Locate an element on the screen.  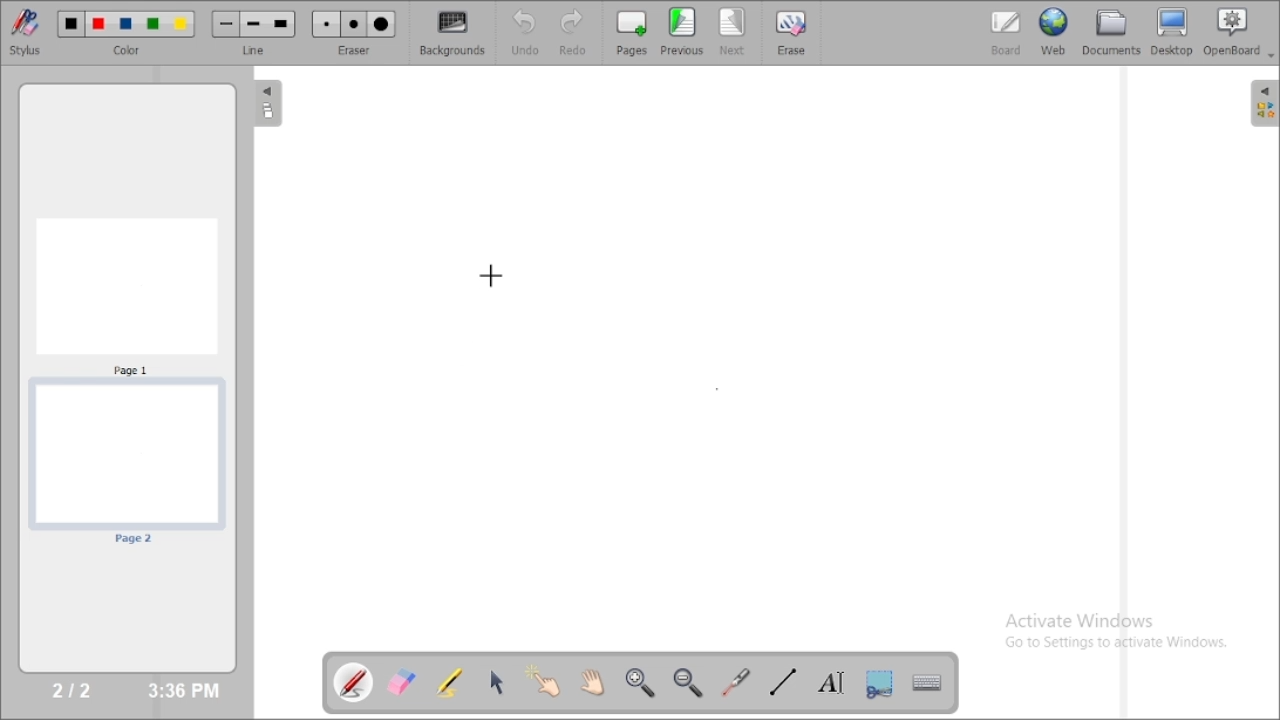
Small line is located at coordinates (226, 24).